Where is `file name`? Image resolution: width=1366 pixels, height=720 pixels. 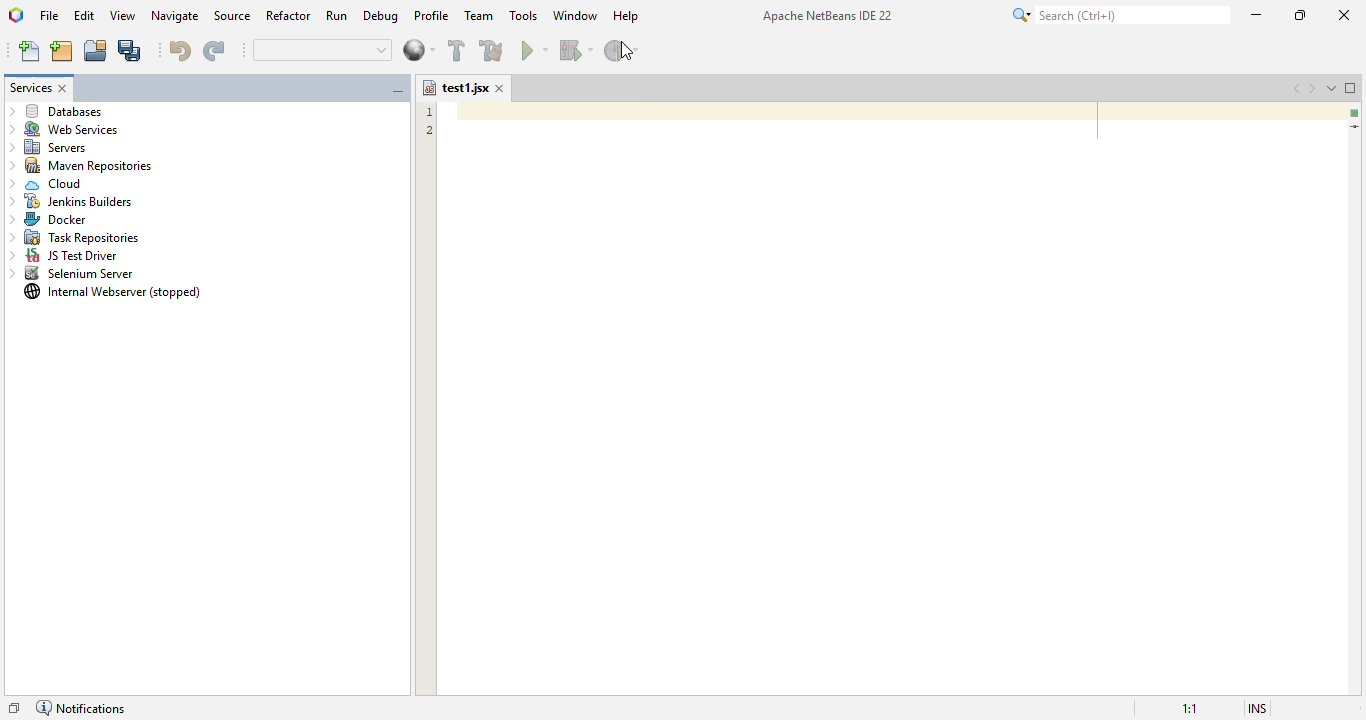
file name is located at coordinates (455, 87).